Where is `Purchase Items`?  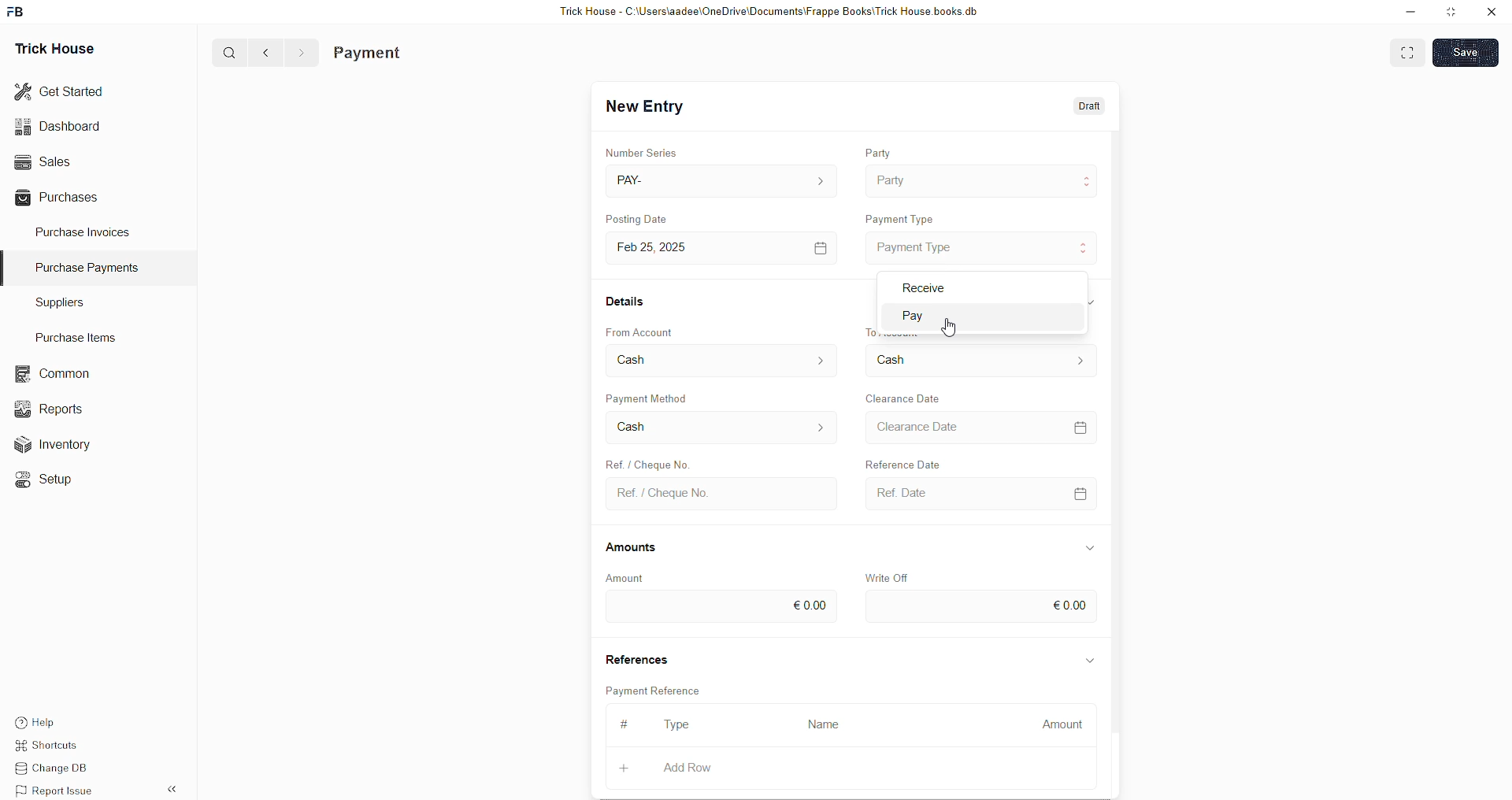
Purchase Items is located at coordinates (80, 335).